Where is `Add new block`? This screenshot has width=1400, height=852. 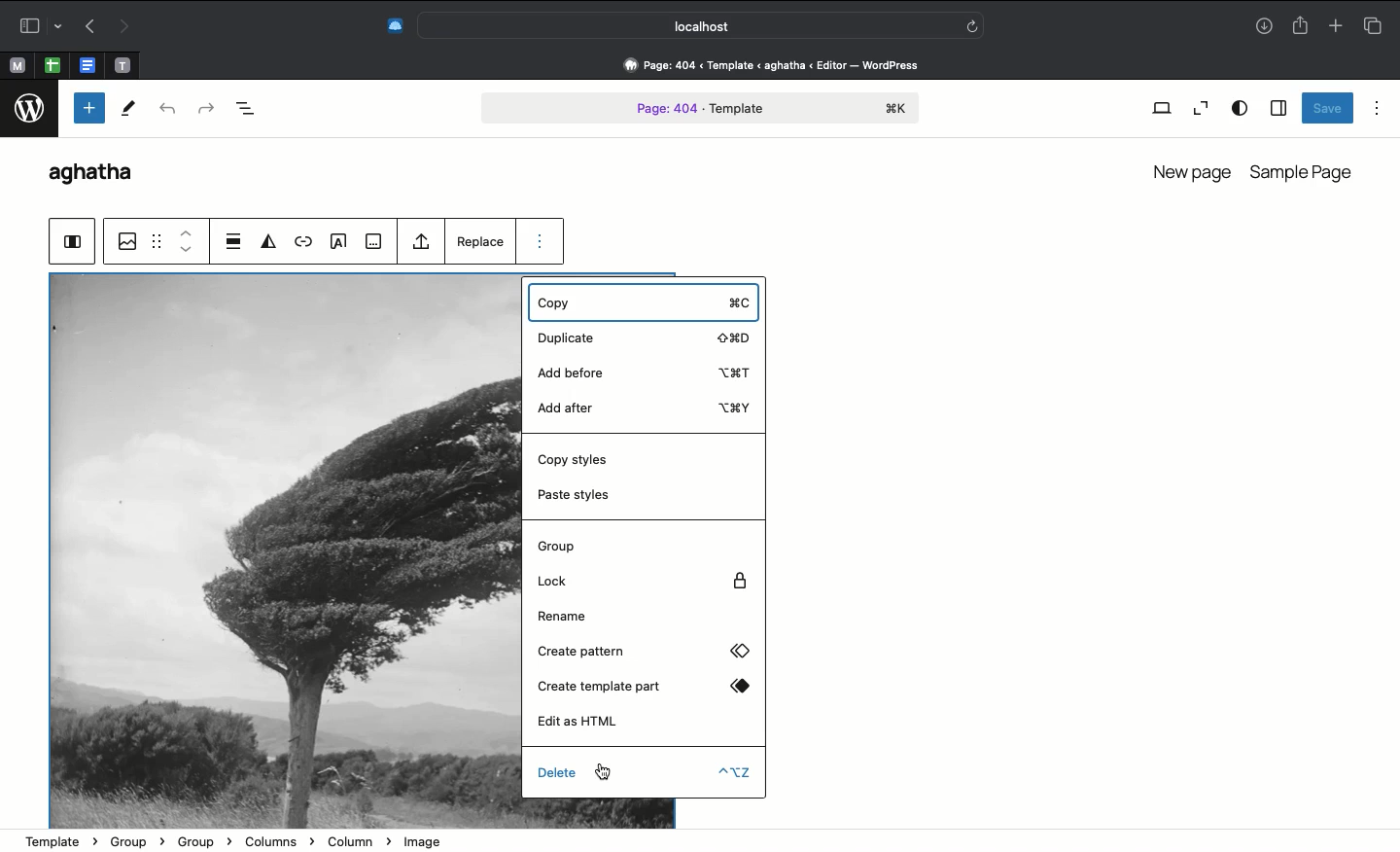
Add new block is located at coordinates (87, 108).